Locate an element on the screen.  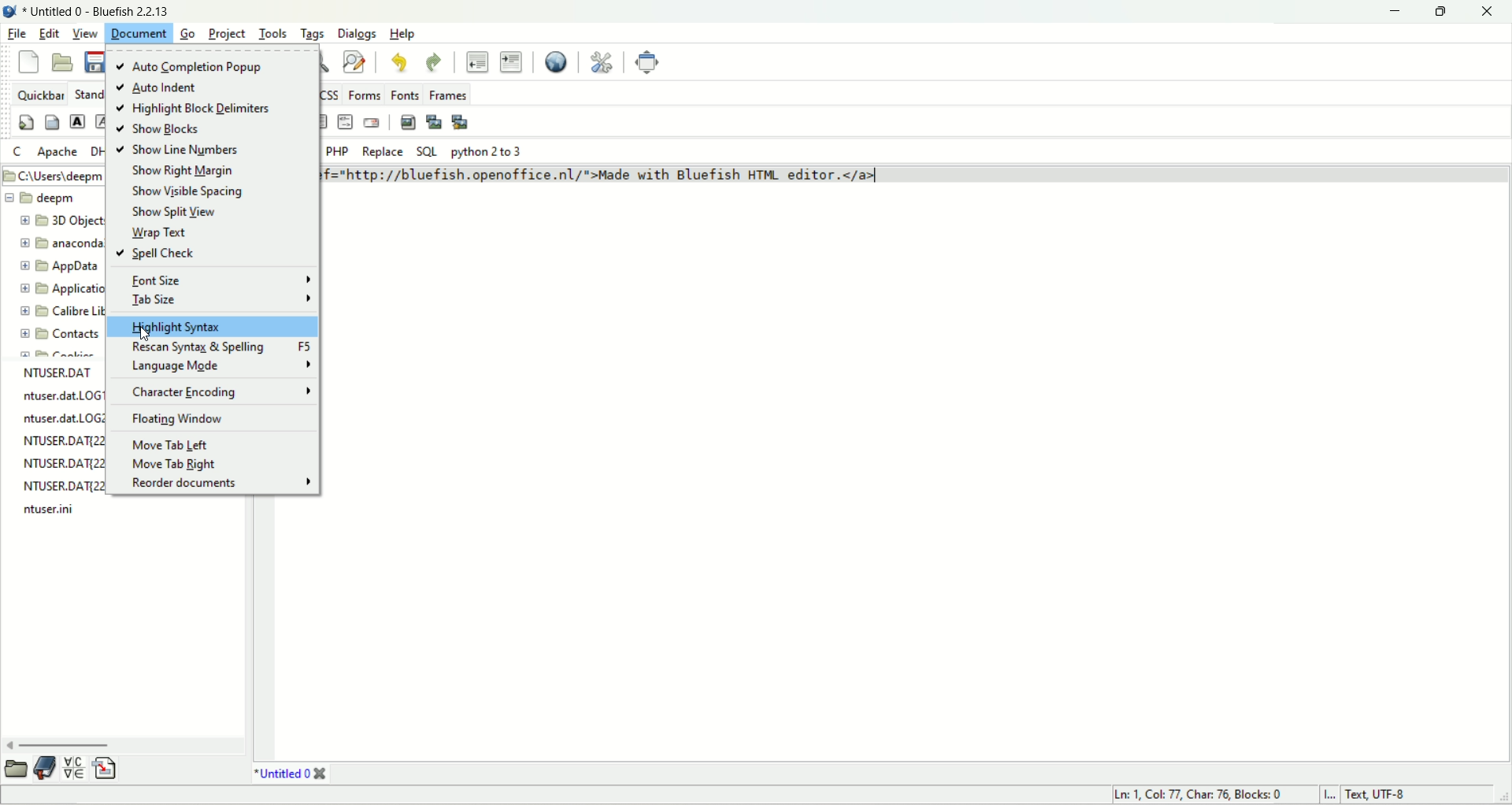
Quickbar is located at coordinates (40, 94).